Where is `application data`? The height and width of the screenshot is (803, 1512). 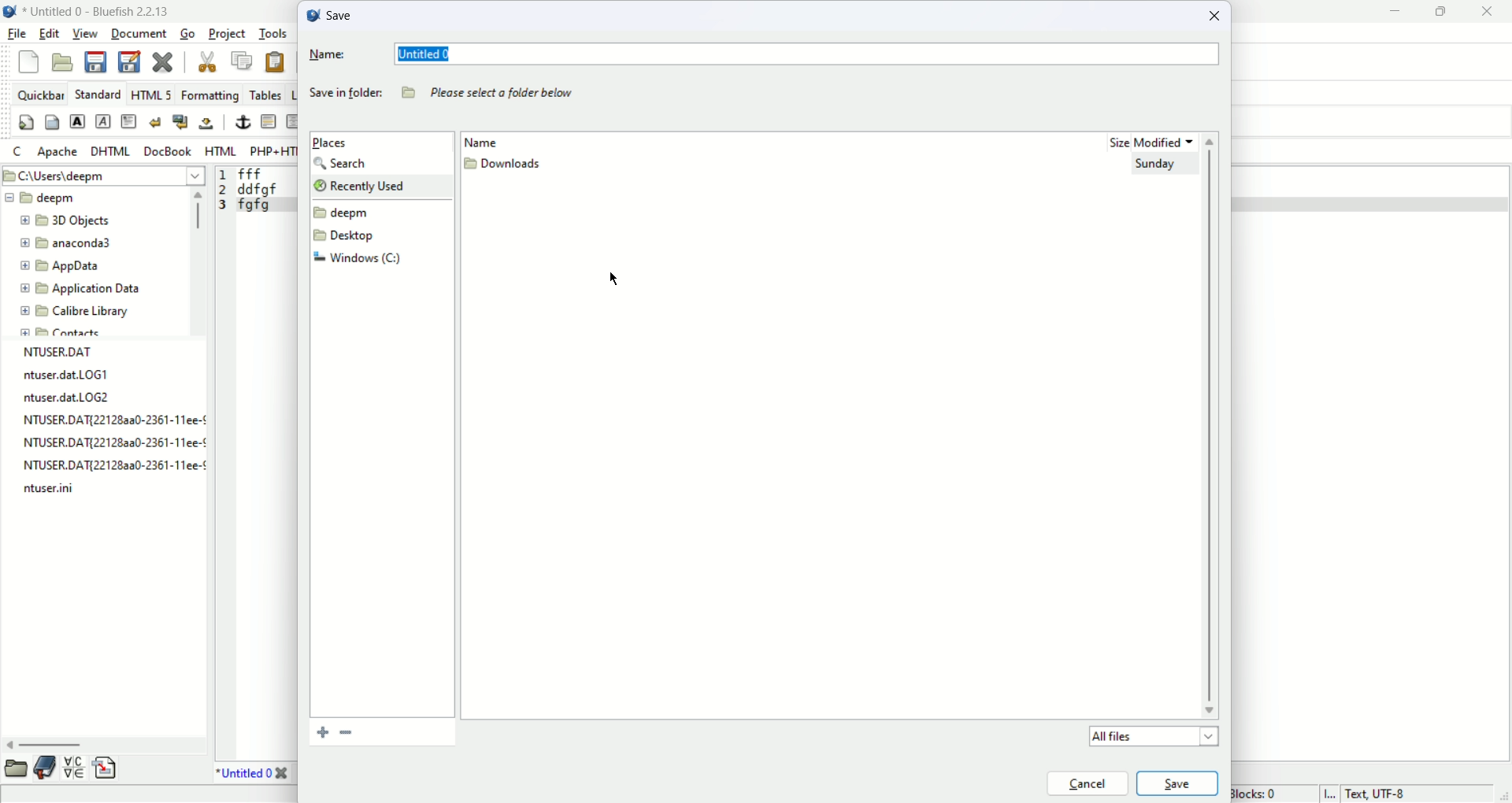
application data is located at coordinates (76, 290).